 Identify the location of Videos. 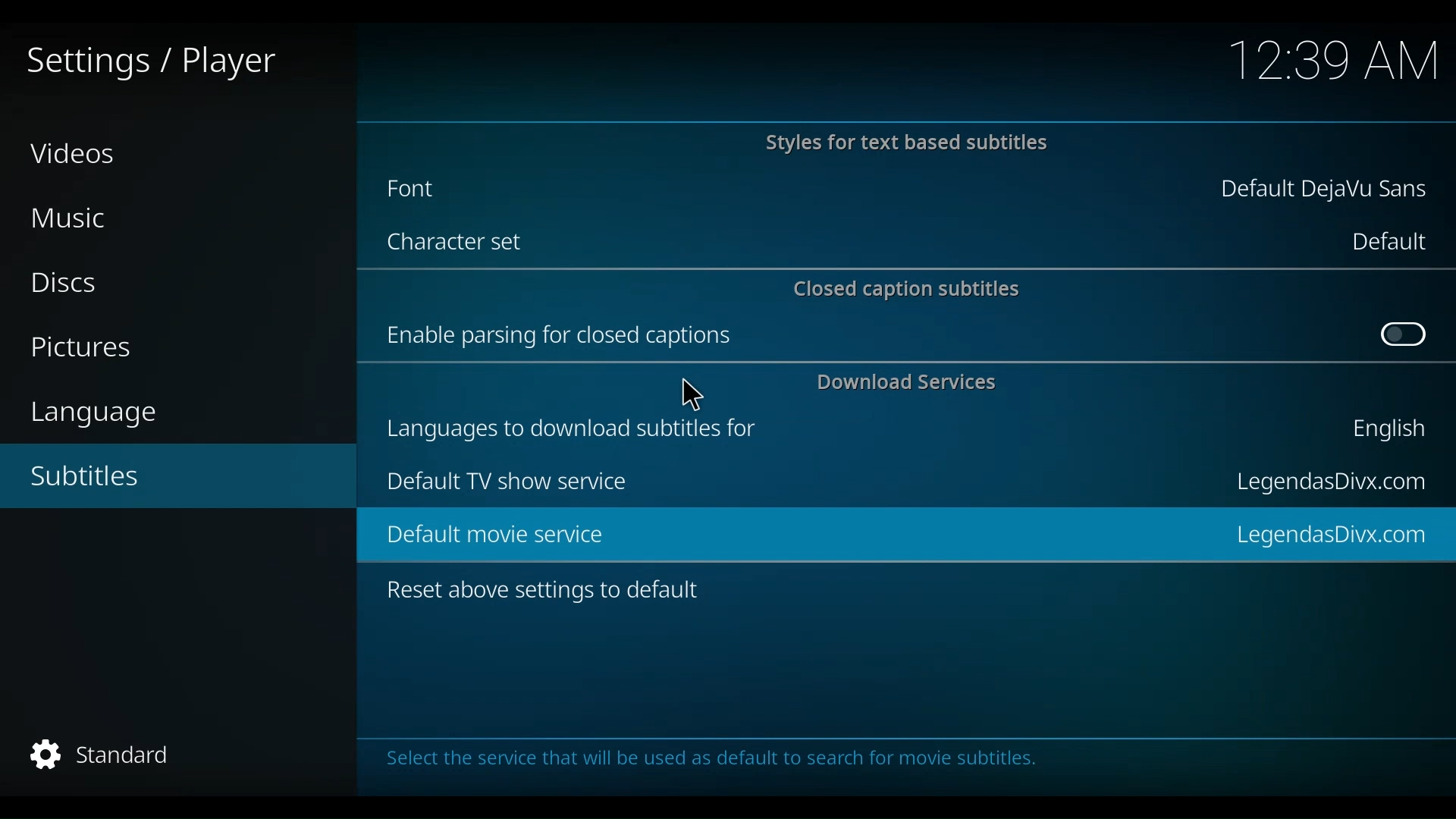
(75, 152).